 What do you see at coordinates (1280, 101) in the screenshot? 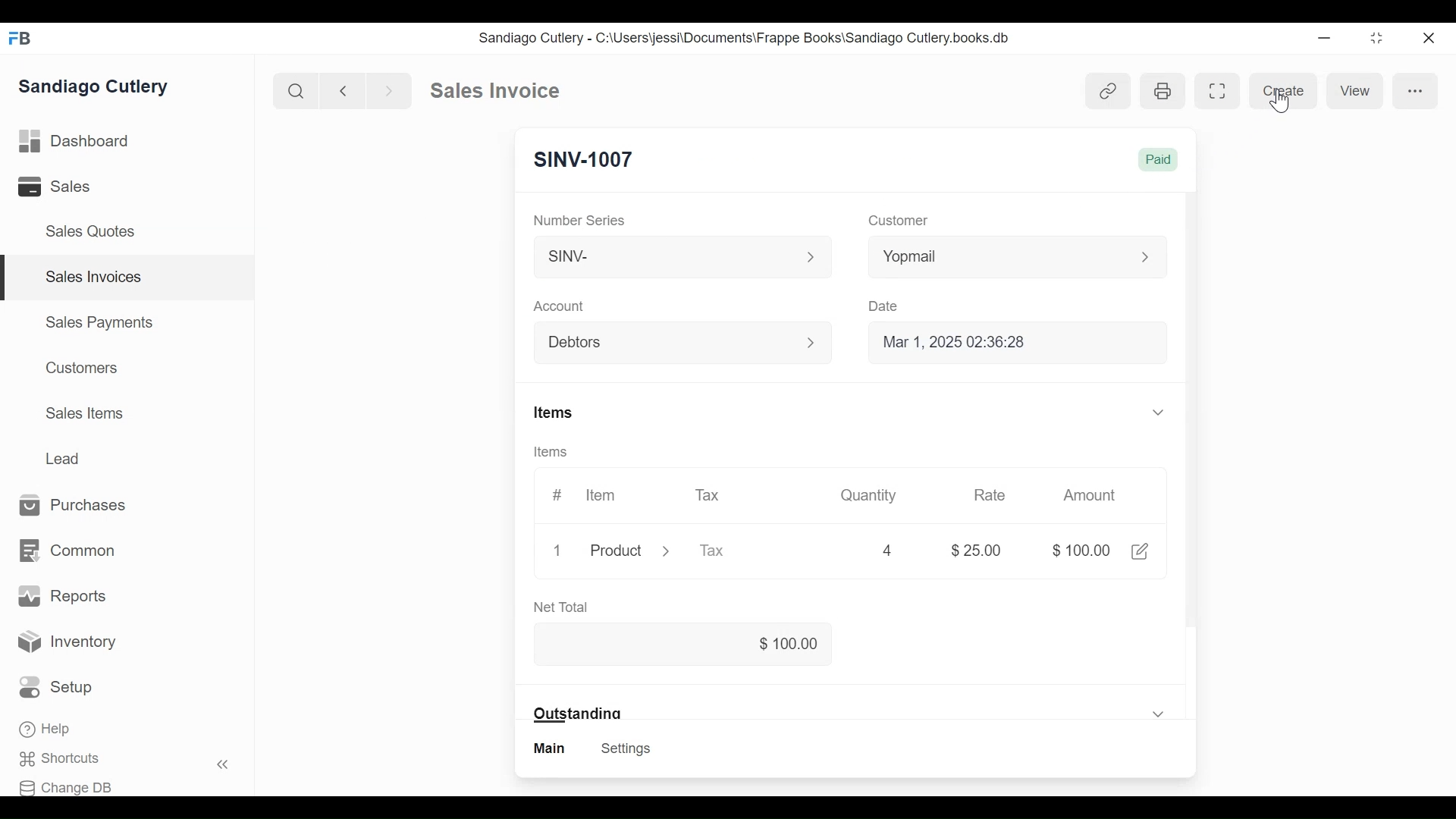
I see `Cursor` at bounding box center [1280, 101].